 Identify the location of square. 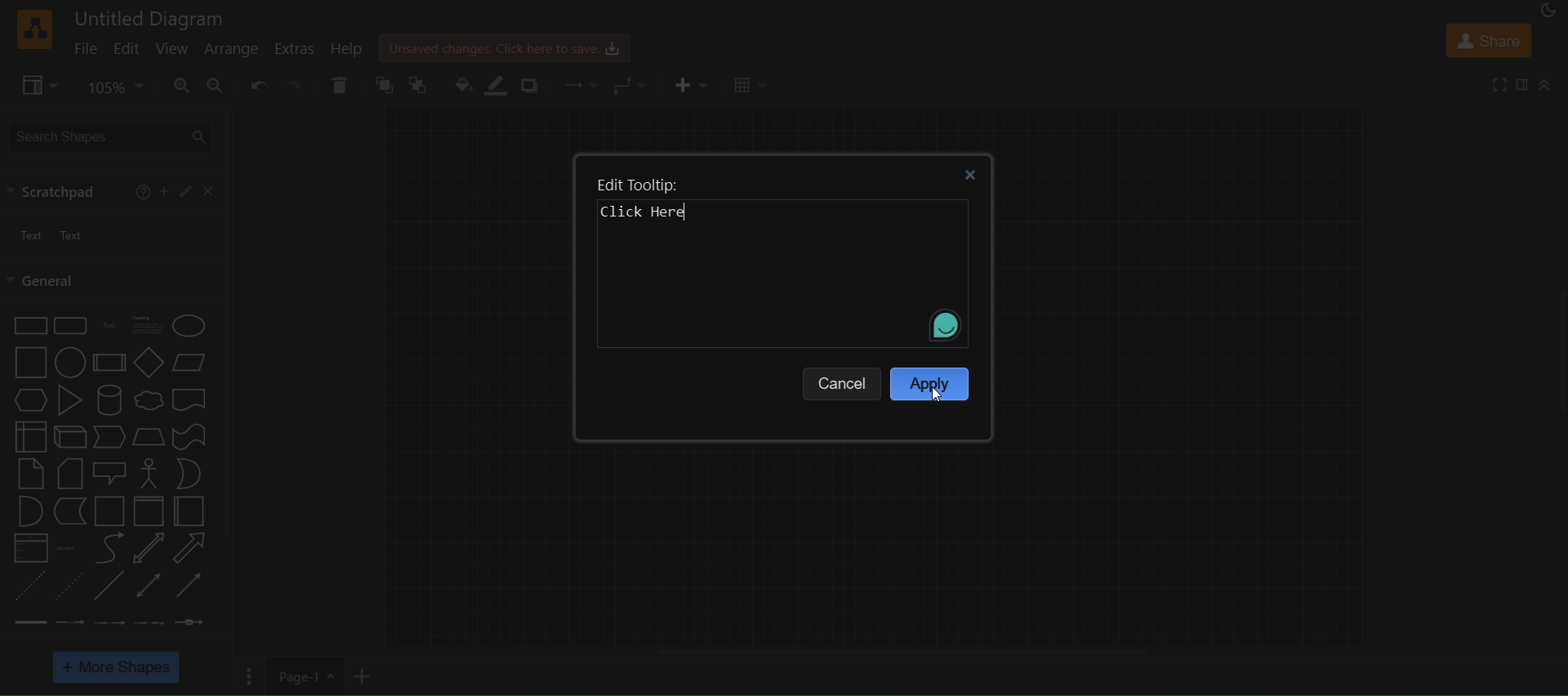
(29, 364).